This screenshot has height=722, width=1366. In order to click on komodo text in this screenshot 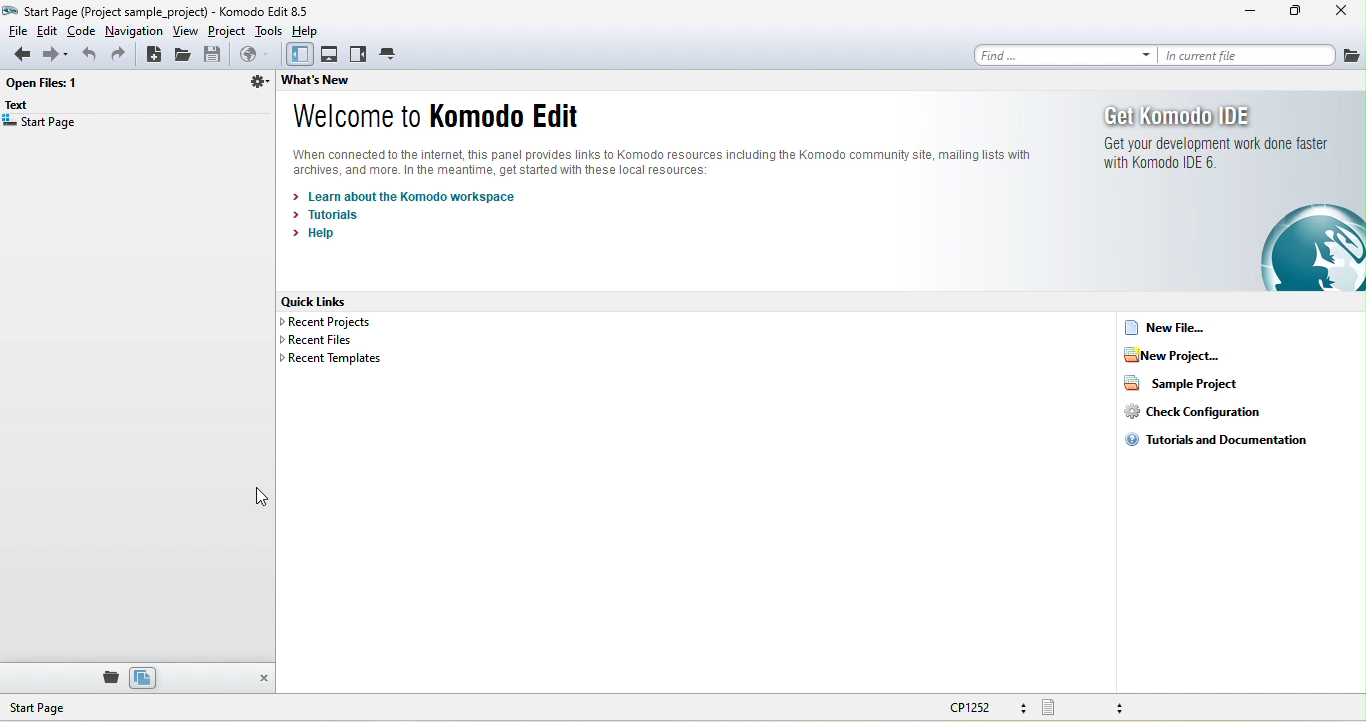, I will do `click(681, 162)`.